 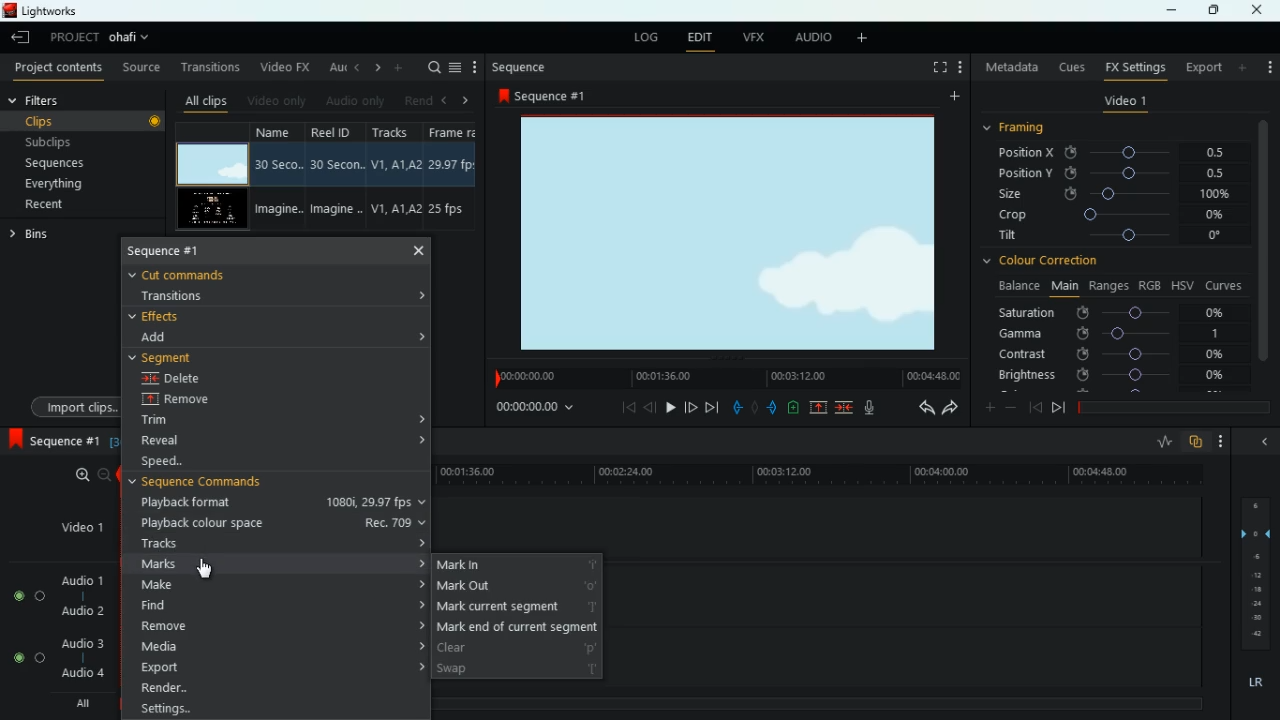 I want to click on add, so click(x=952, y=97).